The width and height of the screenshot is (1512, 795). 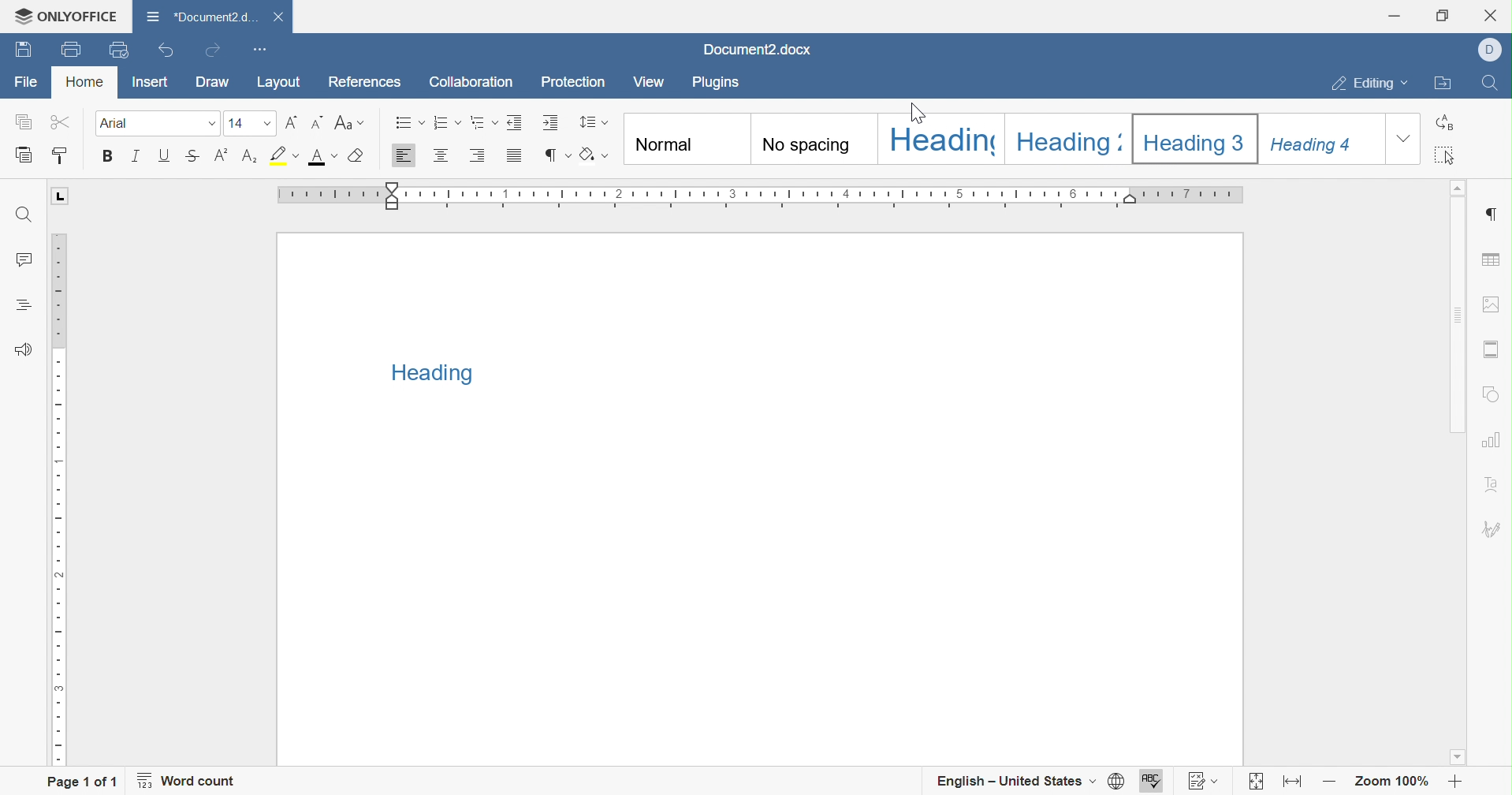 I want to click on Cut, so click(x=56, y=124).